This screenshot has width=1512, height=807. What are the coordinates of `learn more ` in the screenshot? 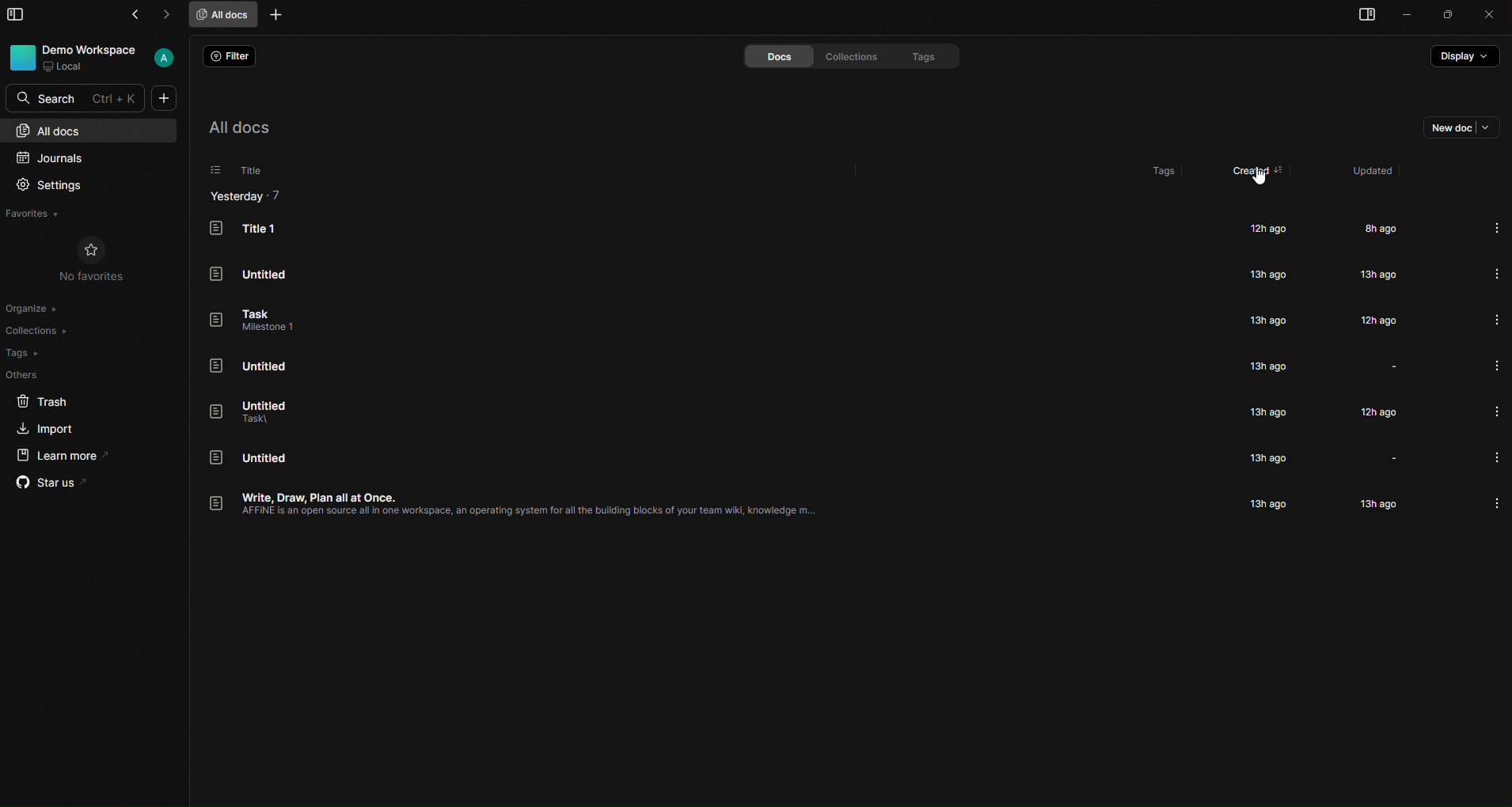 It's located at (73, 456).